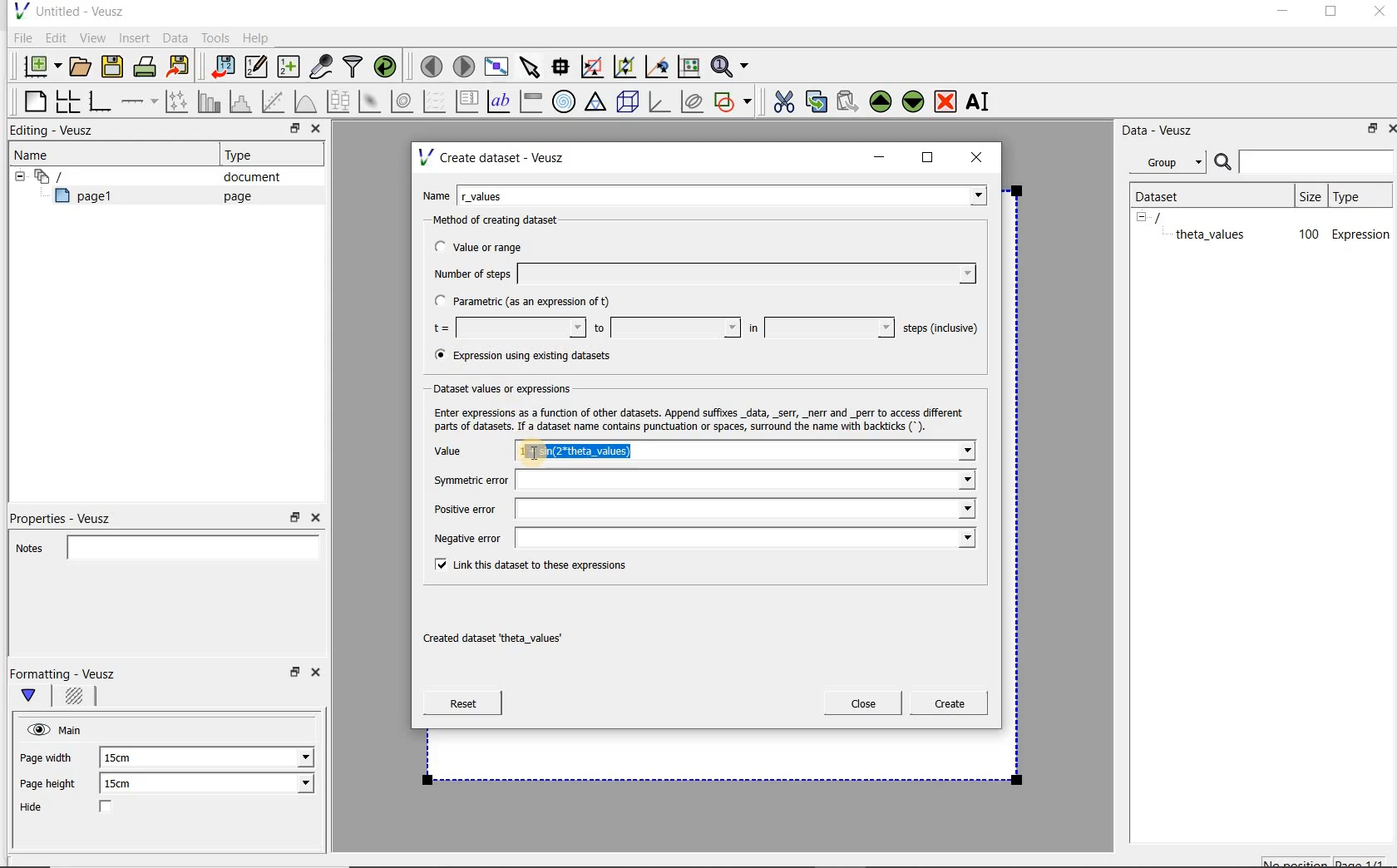 The width and height of the screenshot is (1397, 868). Describe the element at coordinates (660, 103) in the screenshot. I see `3d graph` at that location.